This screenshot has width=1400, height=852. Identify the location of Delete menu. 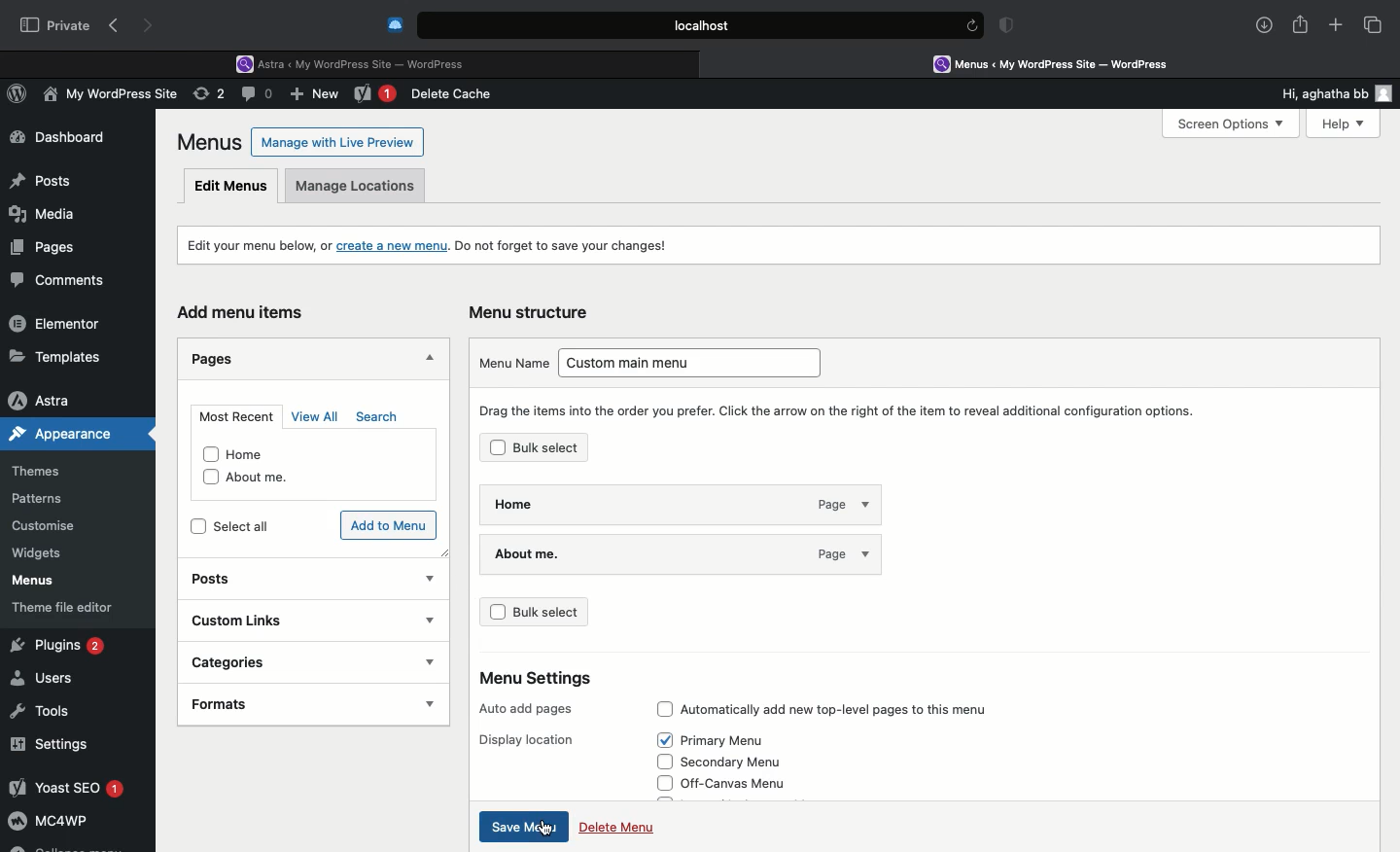
(617, 831).